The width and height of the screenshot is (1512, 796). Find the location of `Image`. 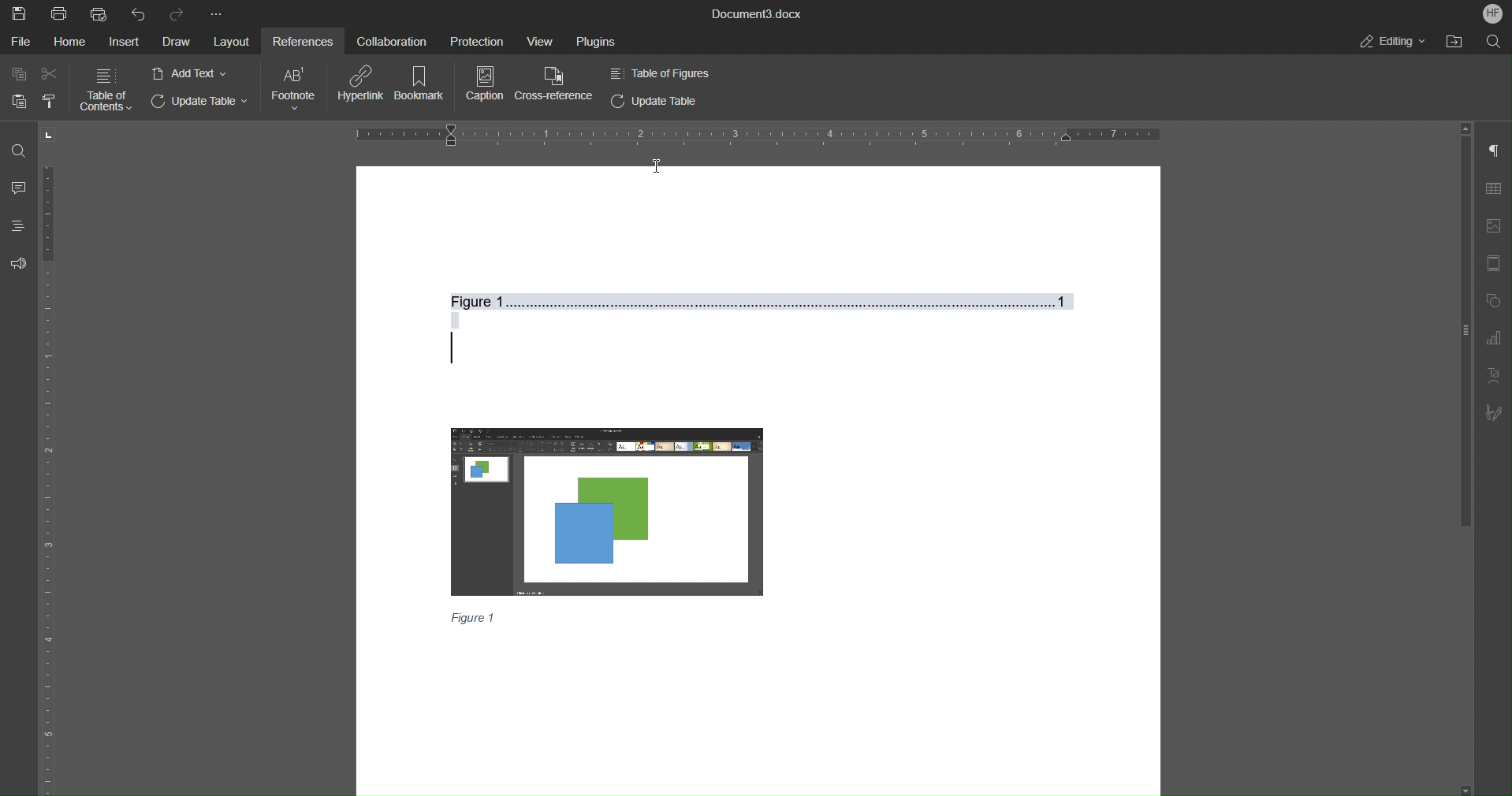

Image is located at coordinates (610, 513).